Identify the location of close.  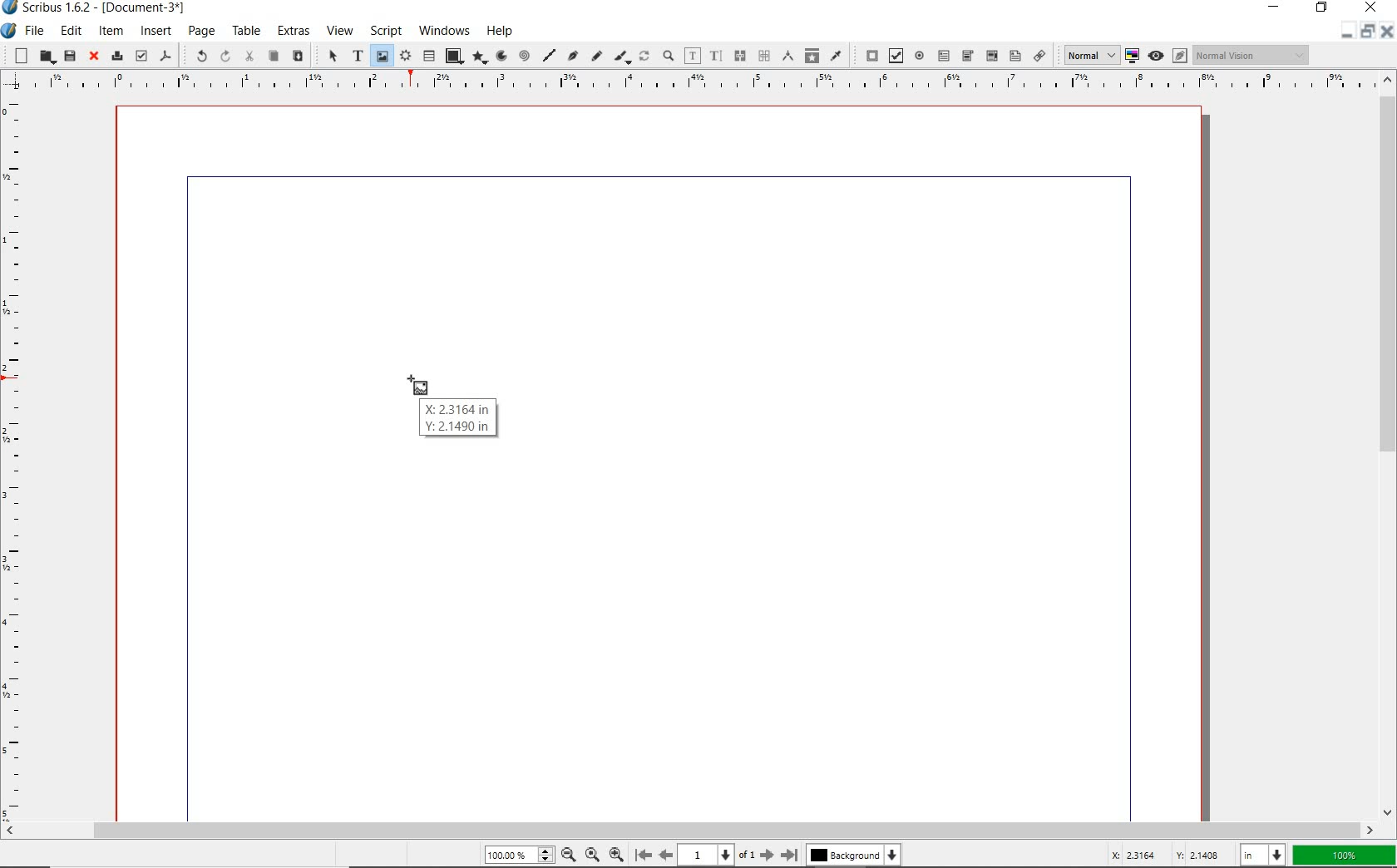
(1387, 31).